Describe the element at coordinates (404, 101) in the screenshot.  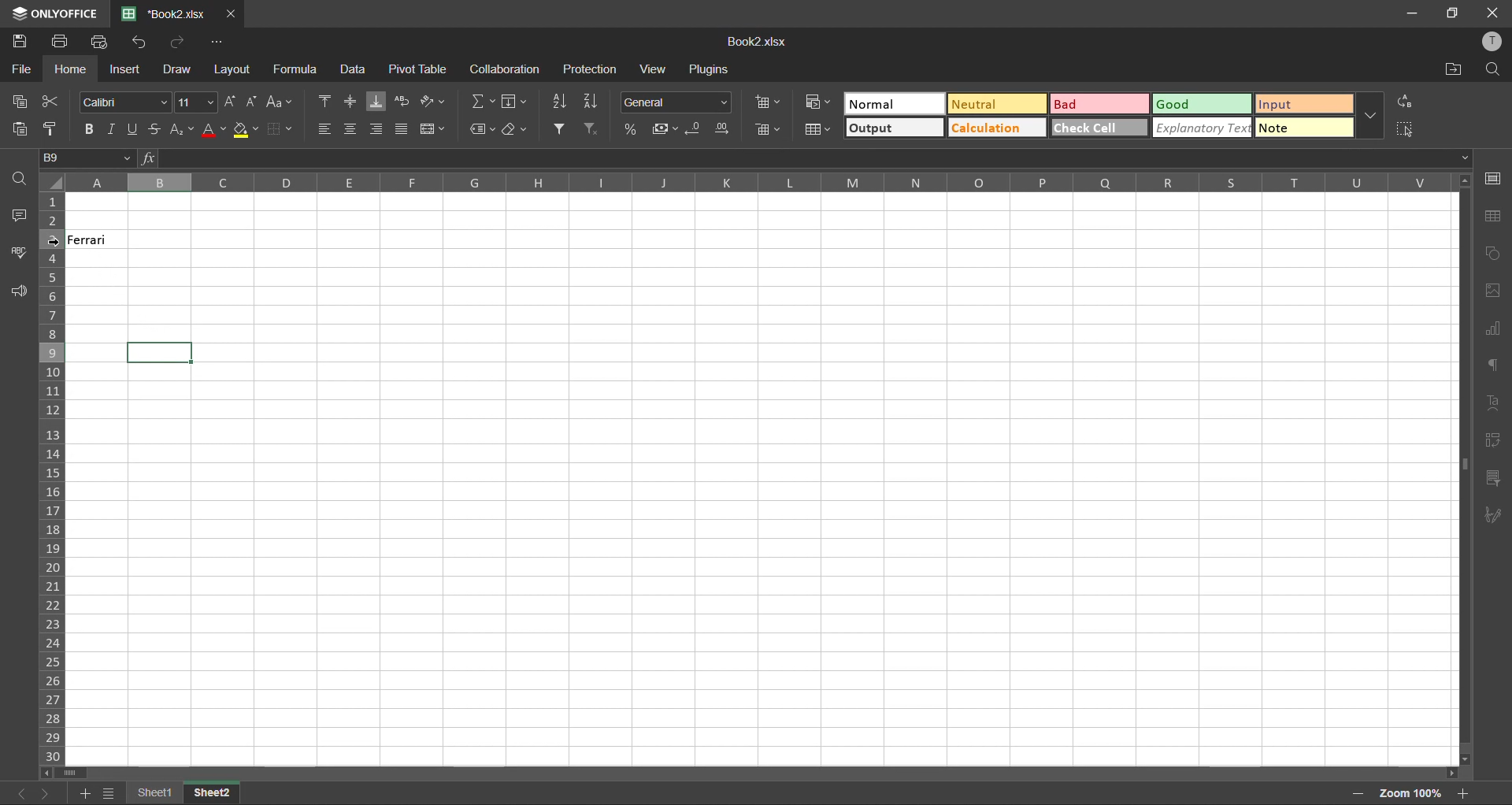
I see `wrap text` at that location.